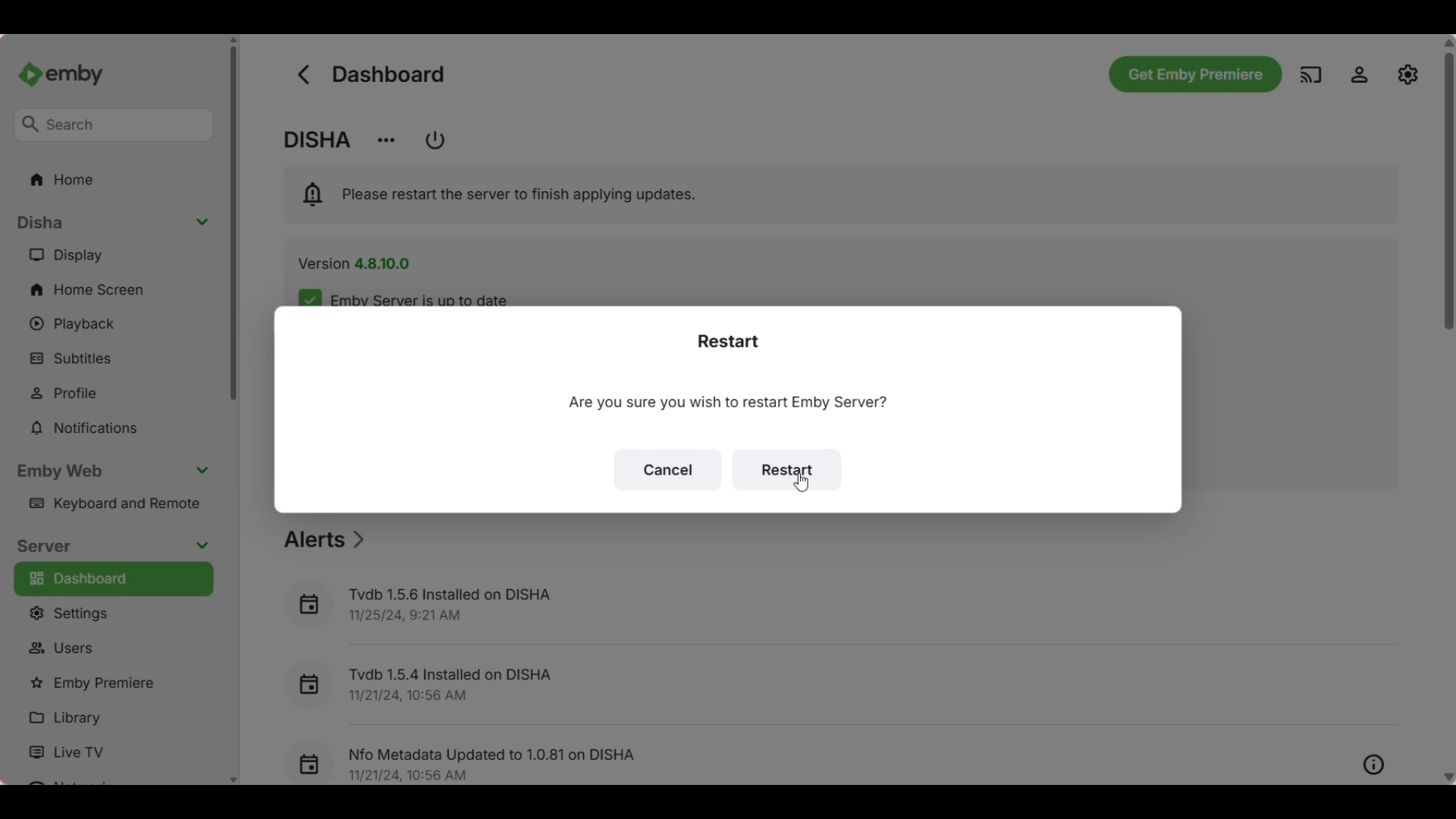 This screenshot has height=819, width=1456. Describe the element at coordinates (801, 482) in the screenshot. I see `Cursor` at that location.